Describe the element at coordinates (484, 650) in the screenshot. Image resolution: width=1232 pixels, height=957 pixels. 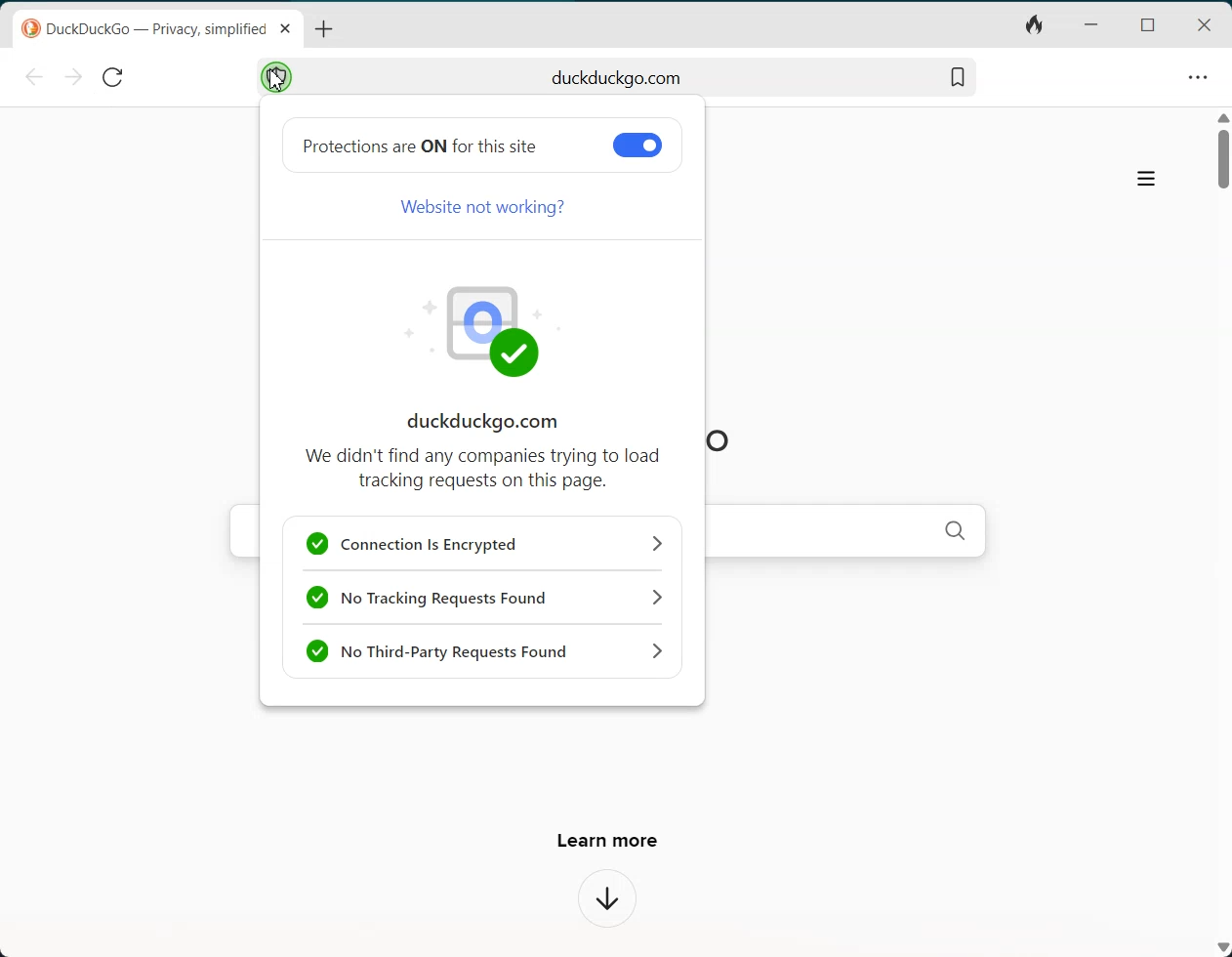
I see `no Third-Party request found` at that location.